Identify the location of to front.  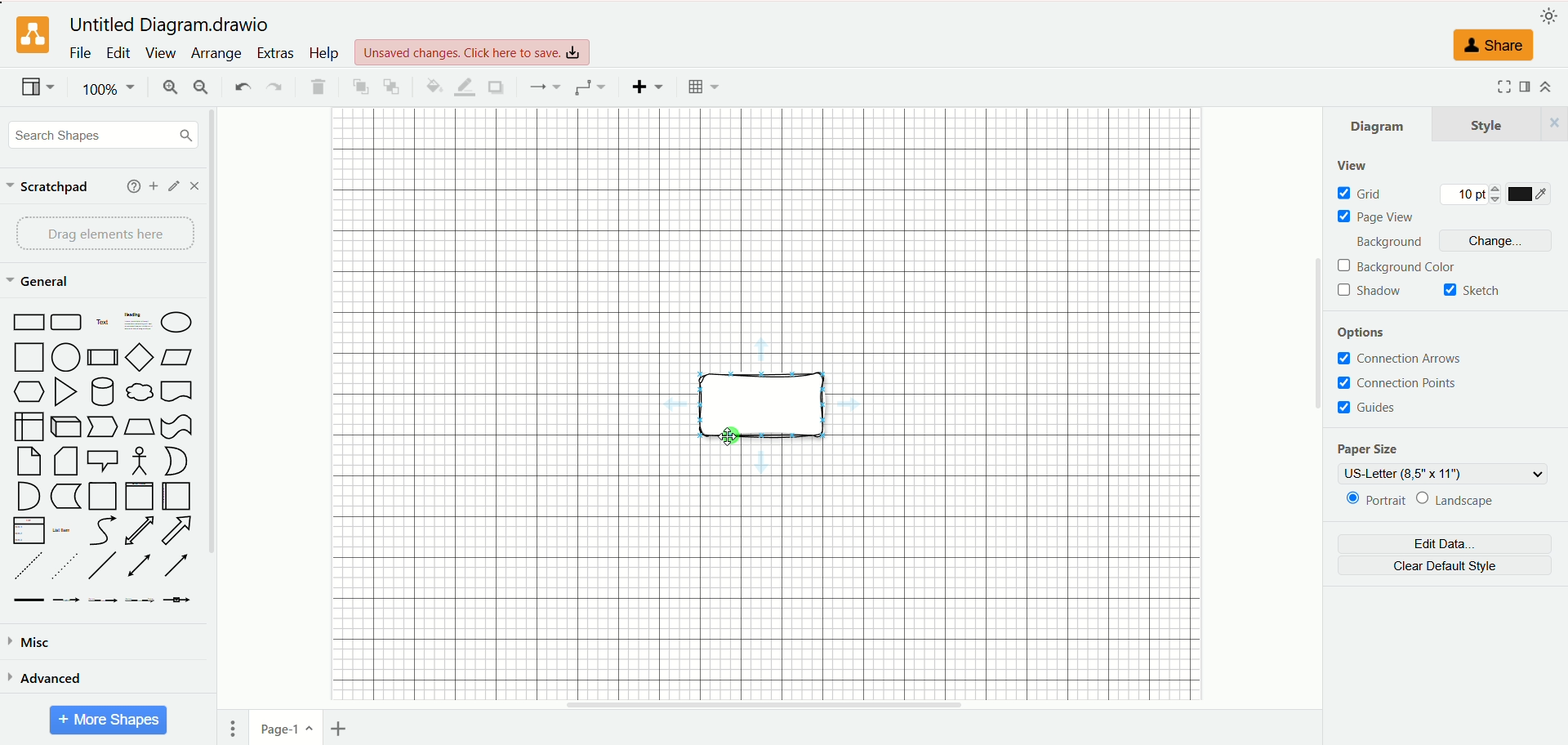
(362, 86).